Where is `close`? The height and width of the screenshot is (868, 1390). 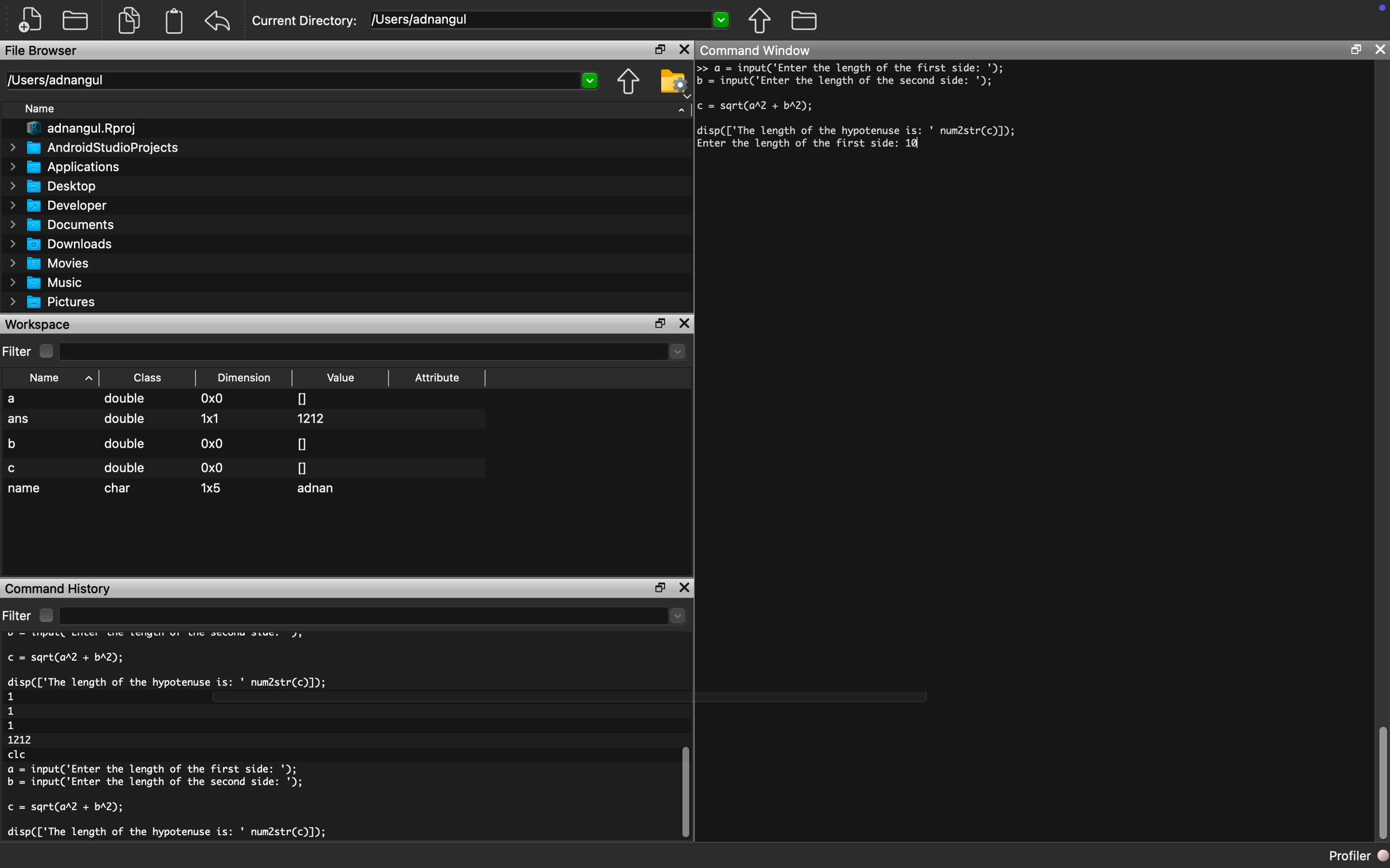 close is located at coordinates (1381, 49).